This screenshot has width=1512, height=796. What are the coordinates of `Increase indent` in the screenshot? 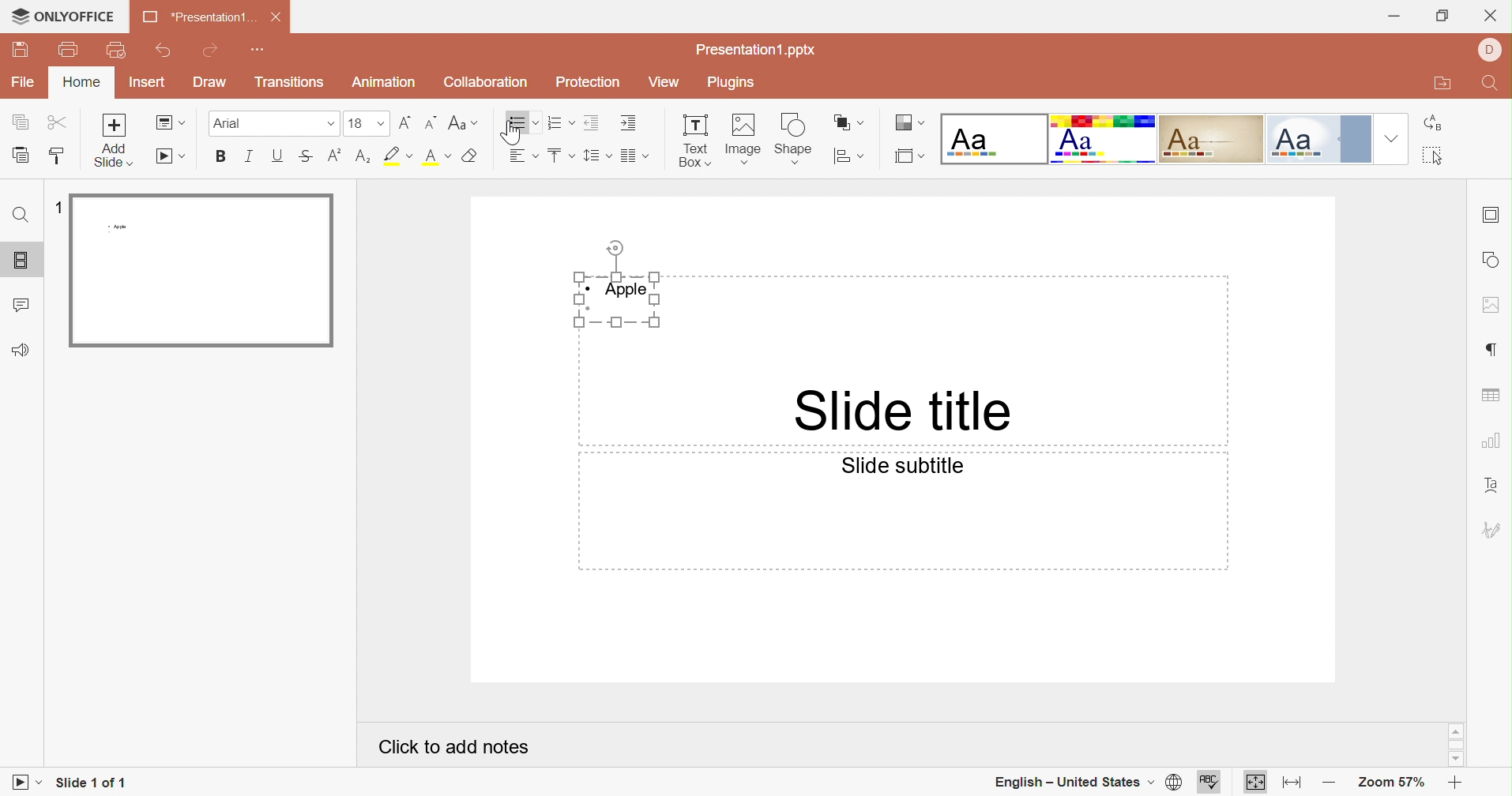 It's located at (629, 123).